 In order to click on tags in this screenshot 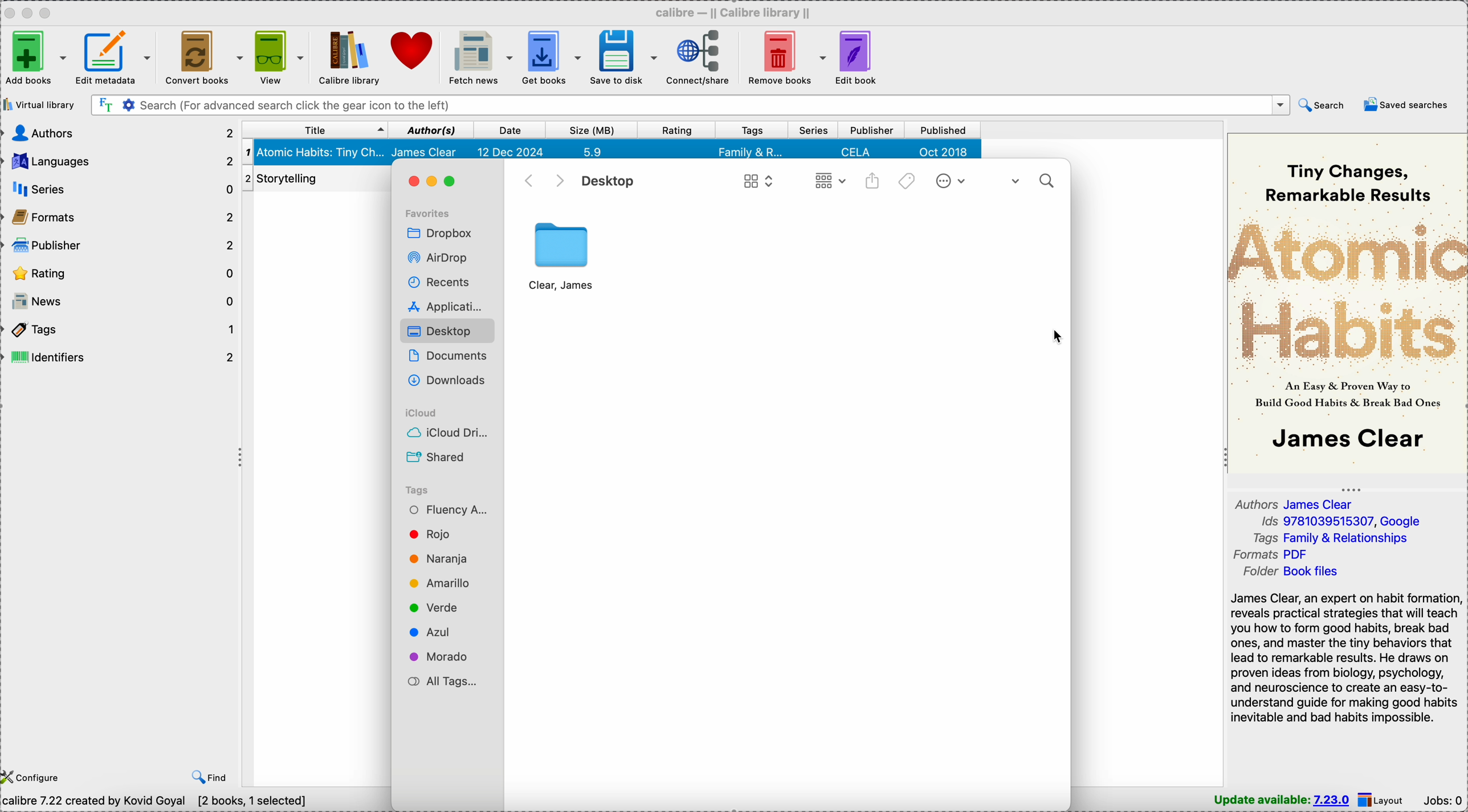, I will do `click(753, 129)`.